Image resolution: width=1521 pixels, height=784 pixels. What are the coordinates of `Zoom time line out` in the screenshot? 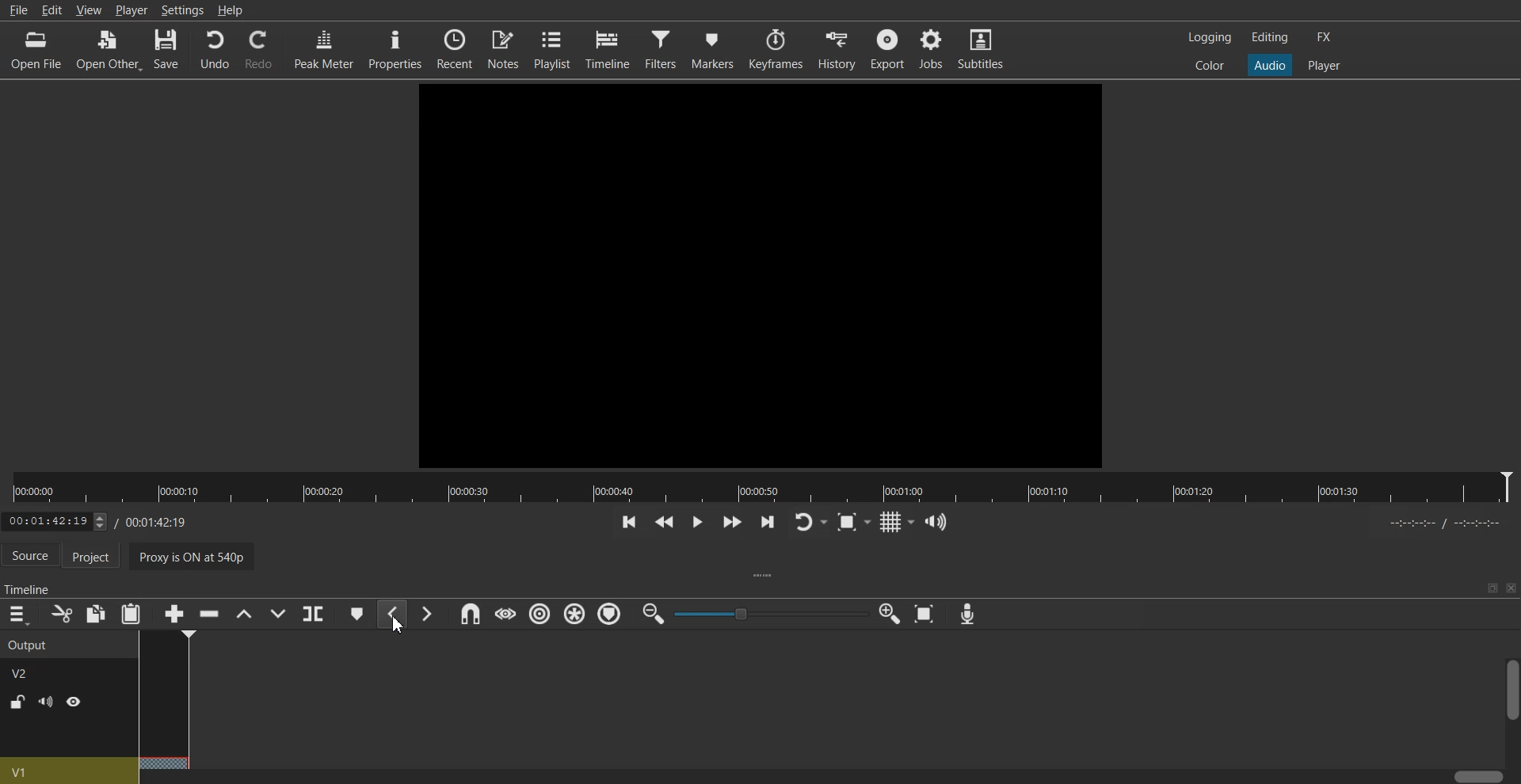 It's located at (652, 615).